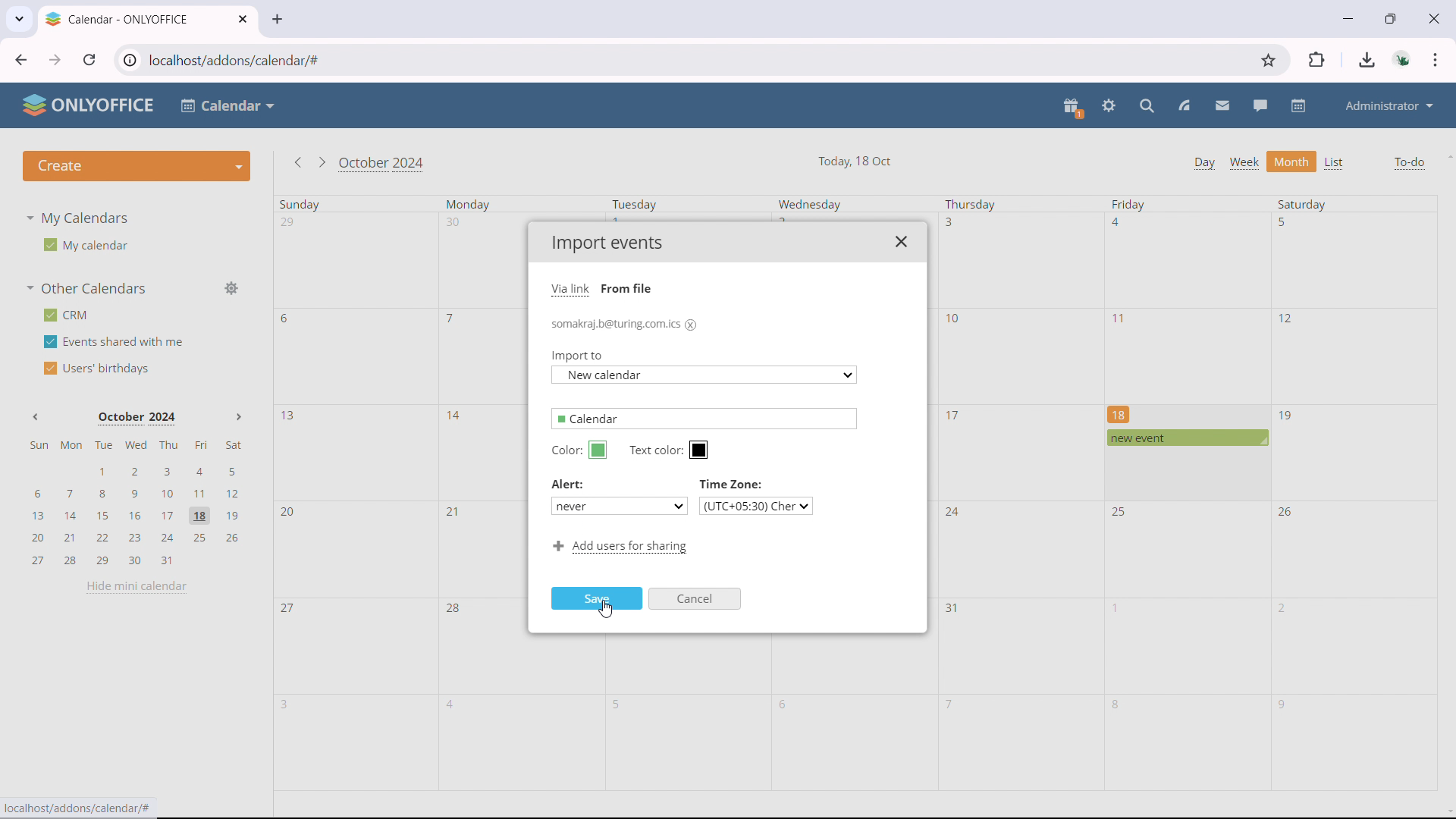 Image resolution: width=1456 pixels, height=819 pixels. I want to click on click to go forward, hold to see history, so click(55, 60).